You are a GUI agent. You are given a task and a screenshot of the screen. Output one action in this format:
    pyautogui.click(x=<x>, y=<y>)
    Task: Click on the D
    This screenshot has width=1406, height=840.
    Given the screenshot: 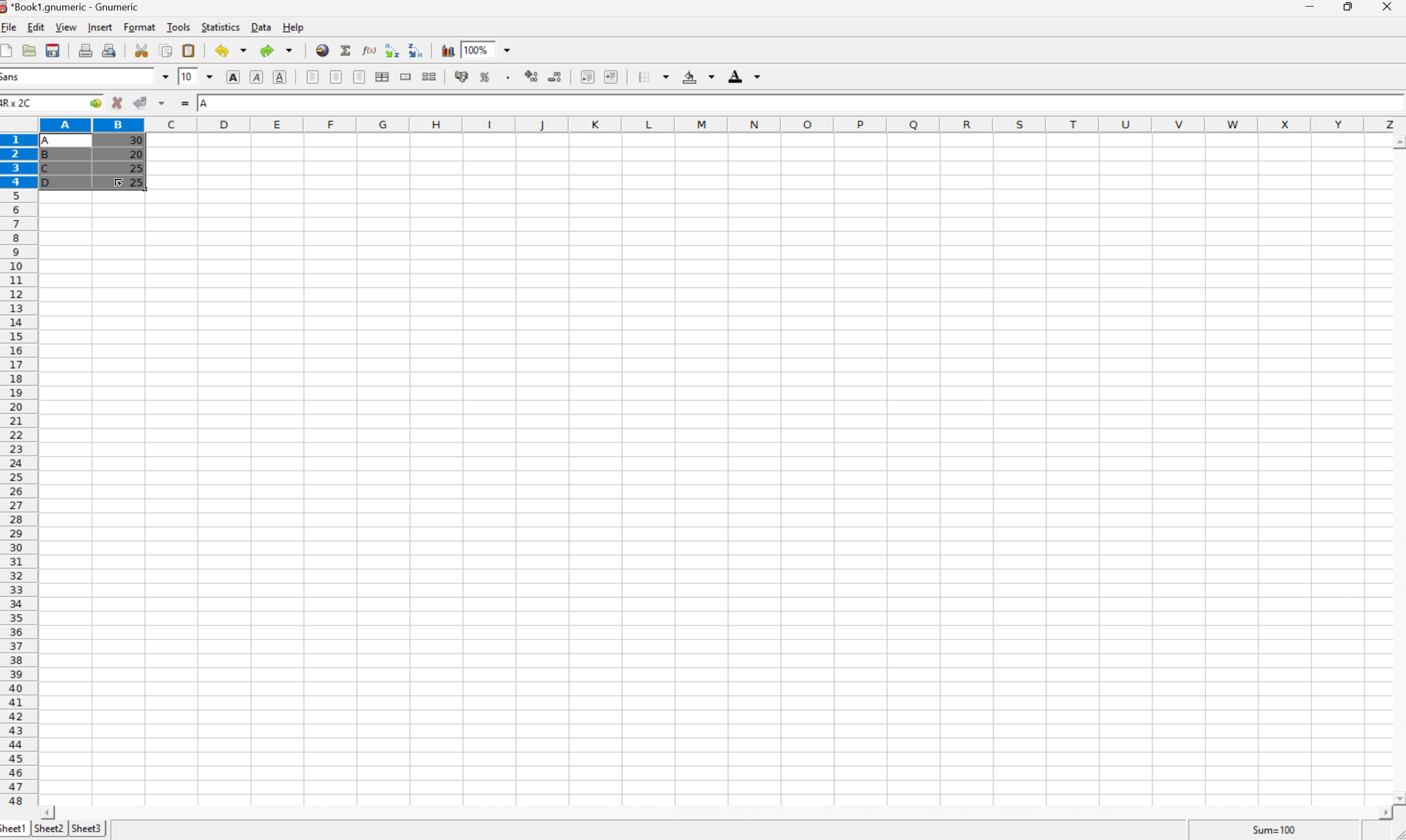 What is the action you would take?
    pyautogui.click(x=50, y=182)
    